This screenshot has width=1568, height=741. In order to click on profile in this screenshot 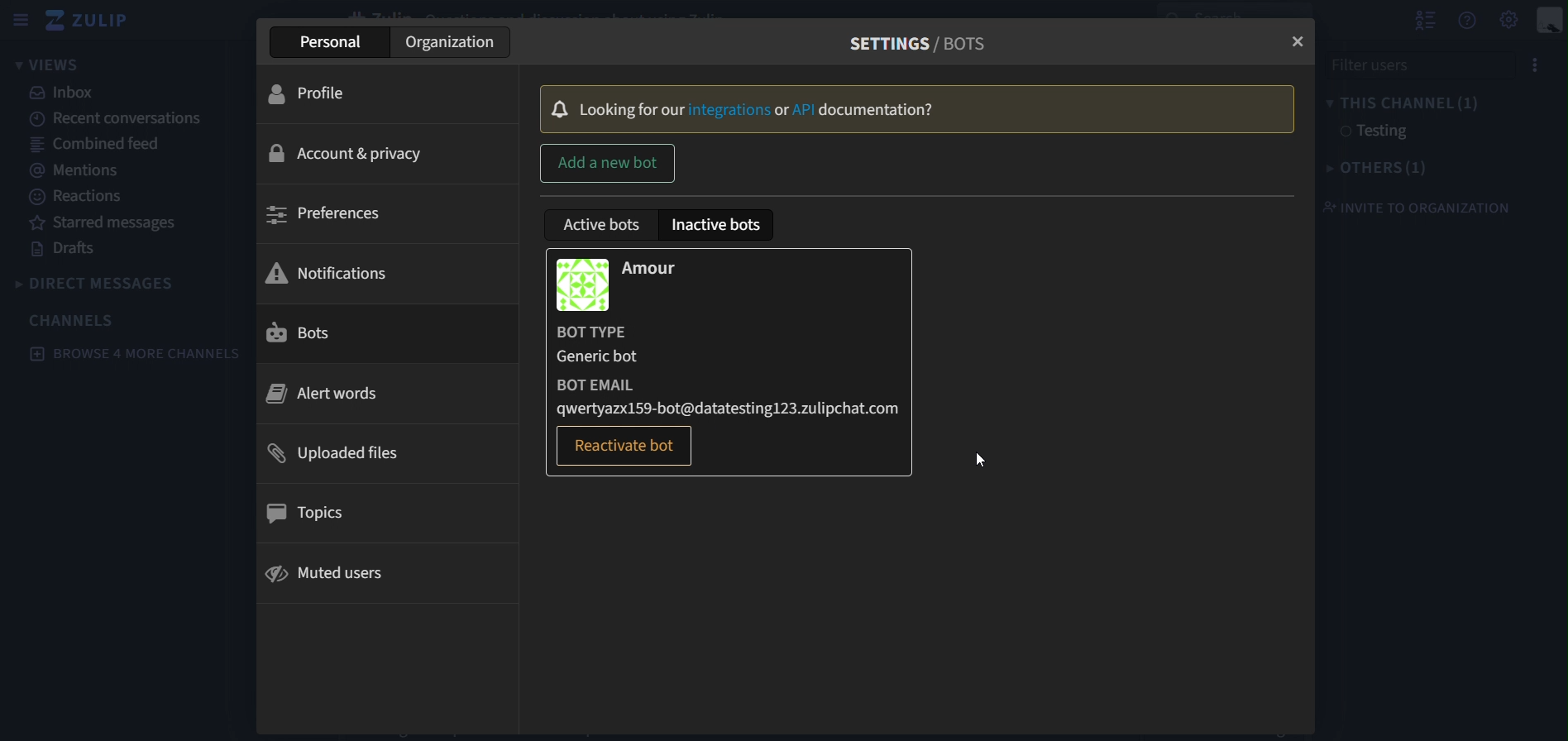, I will do `click(322, 97)`.